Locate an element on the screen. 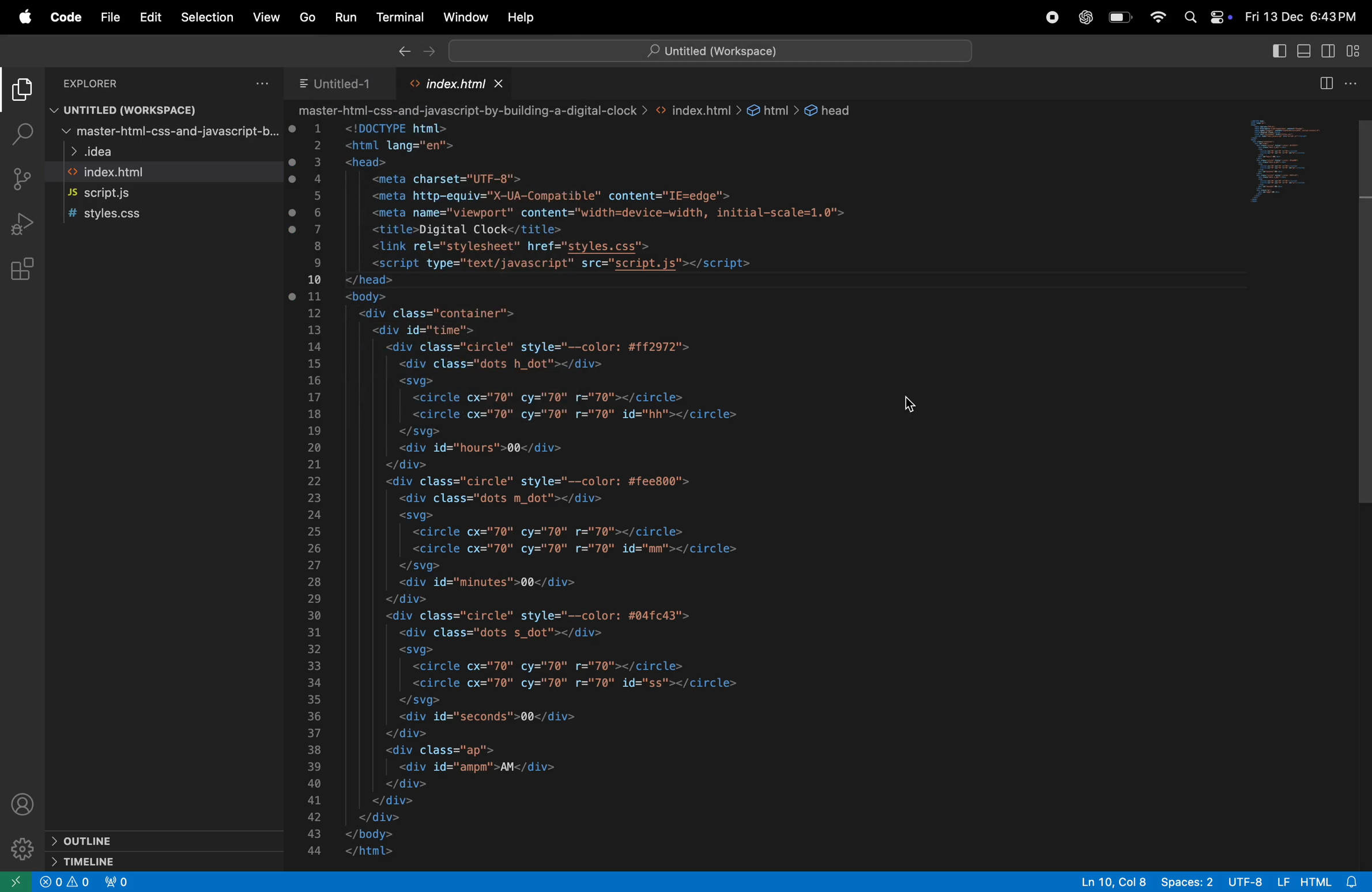 The height and width of the screenshot is (892, 1372). untitled work space is located at coordinates (125, 110).